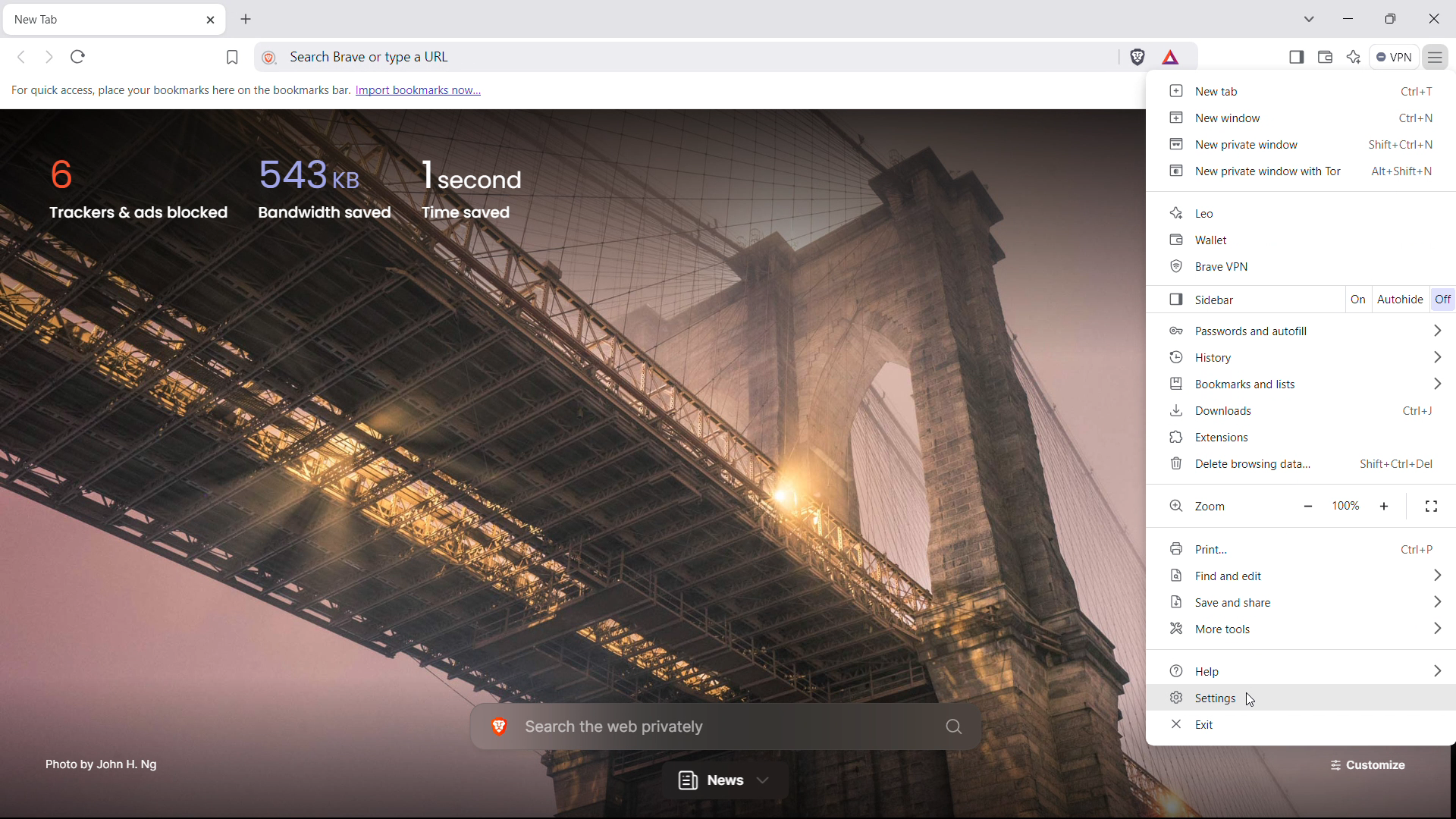 The height and width of the screenshot is (819, 1456). What do you see at coordinates (420, 89) in the screenshot?
I see `import bookmarks` at bounding box center [420, 89].